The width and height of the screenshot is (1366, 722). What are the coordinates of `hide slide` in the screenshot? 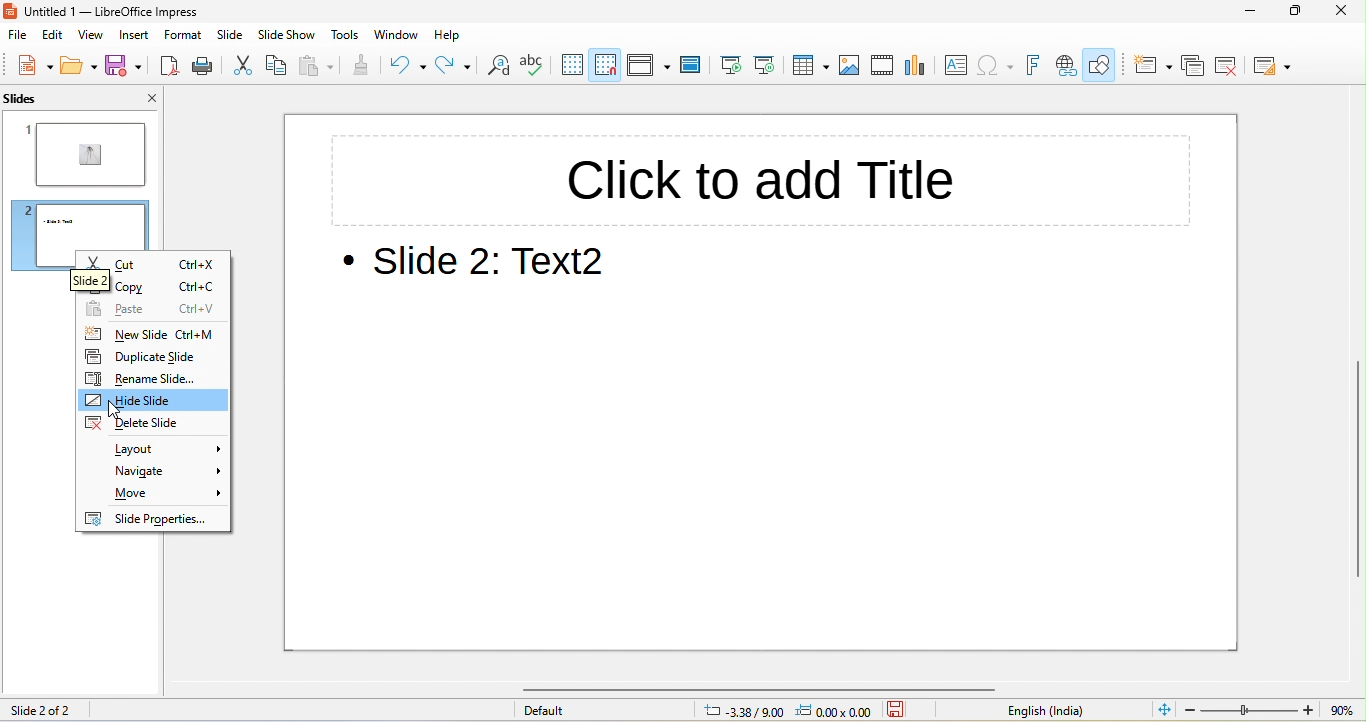 It's located at (152, 400).